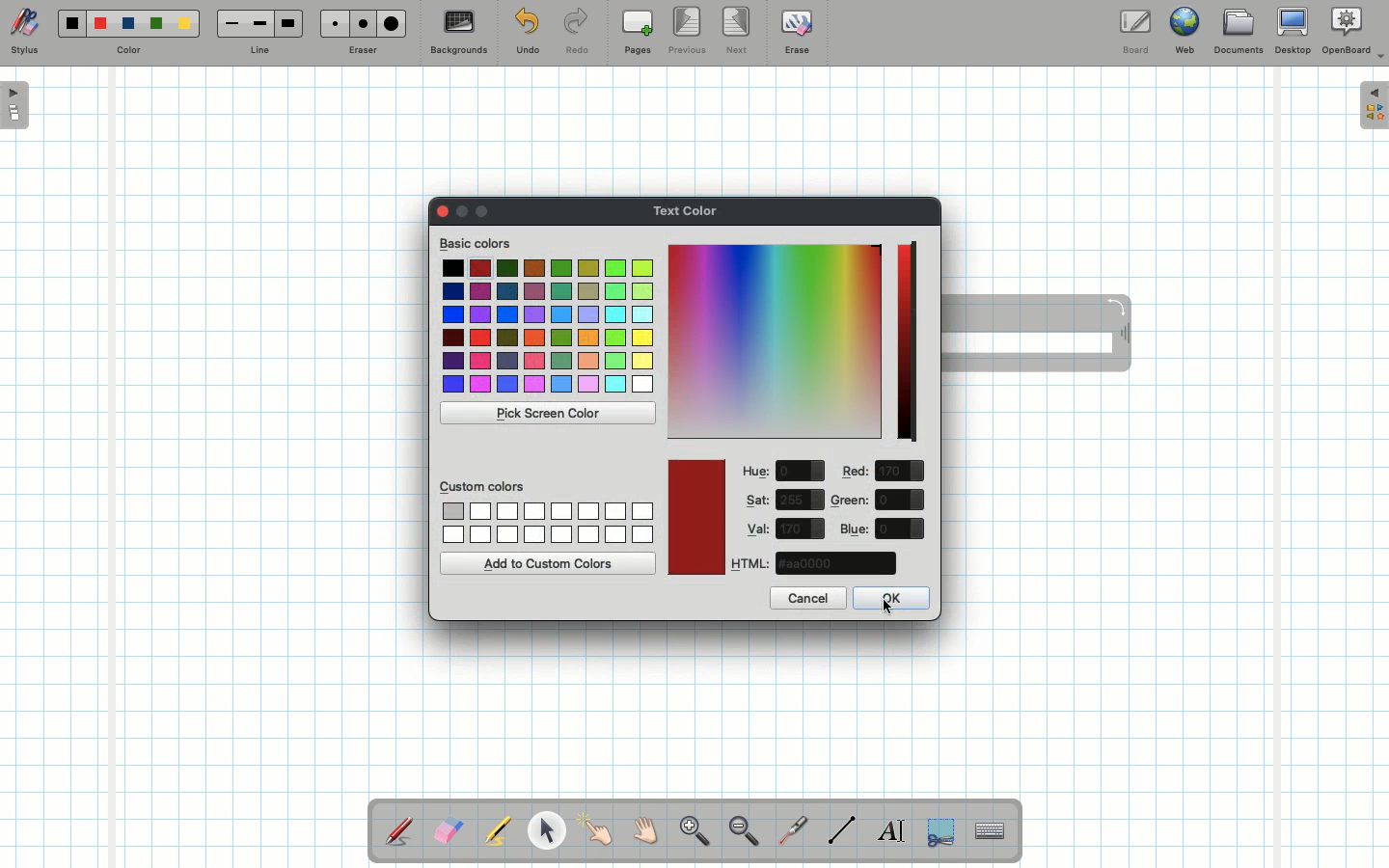  Describe the element at coordinates (842, 829) in the screenshot. I see `Line` at that location.